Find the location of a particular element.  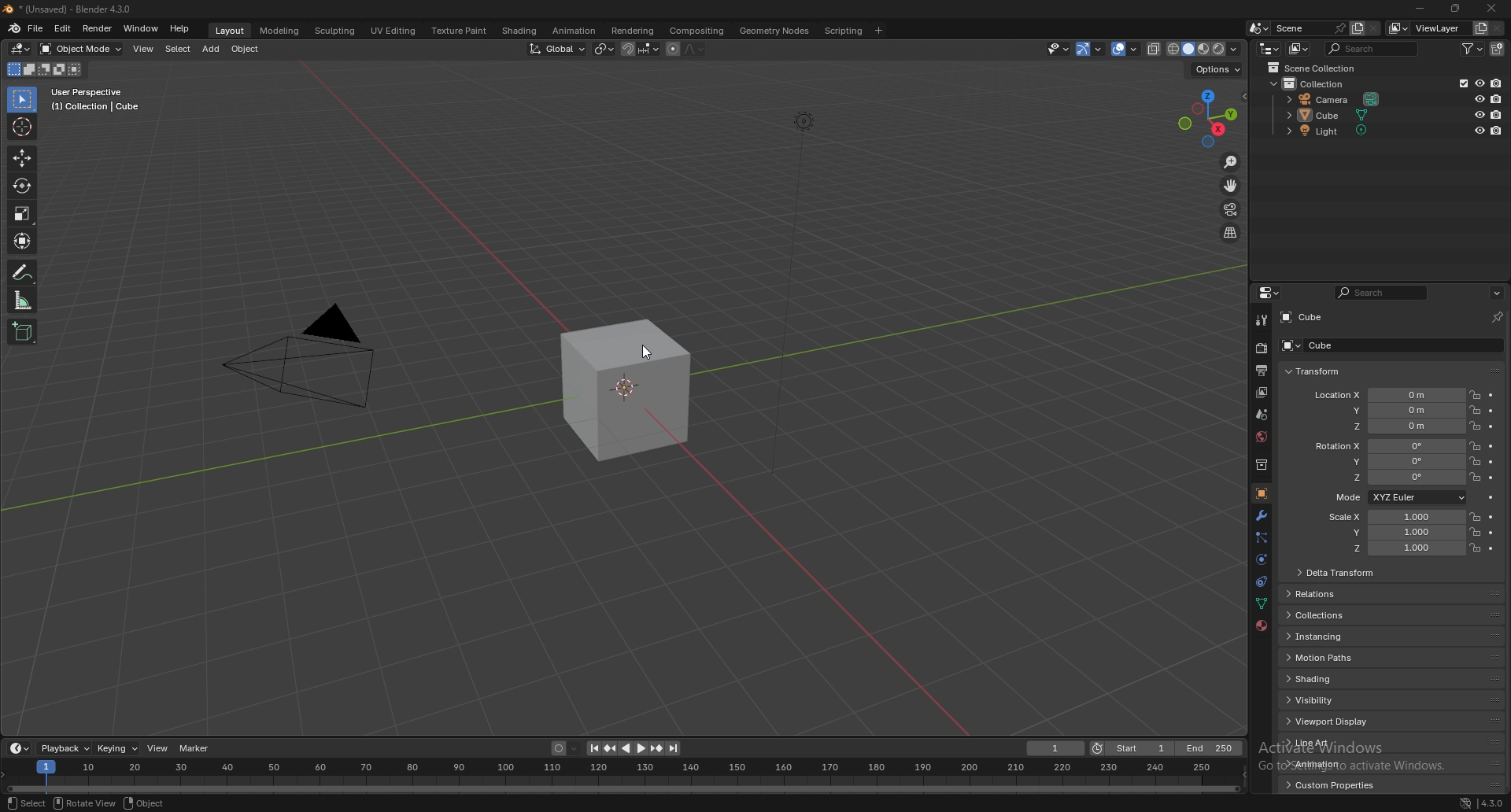

add scene is located at coordinates (1357, 28).